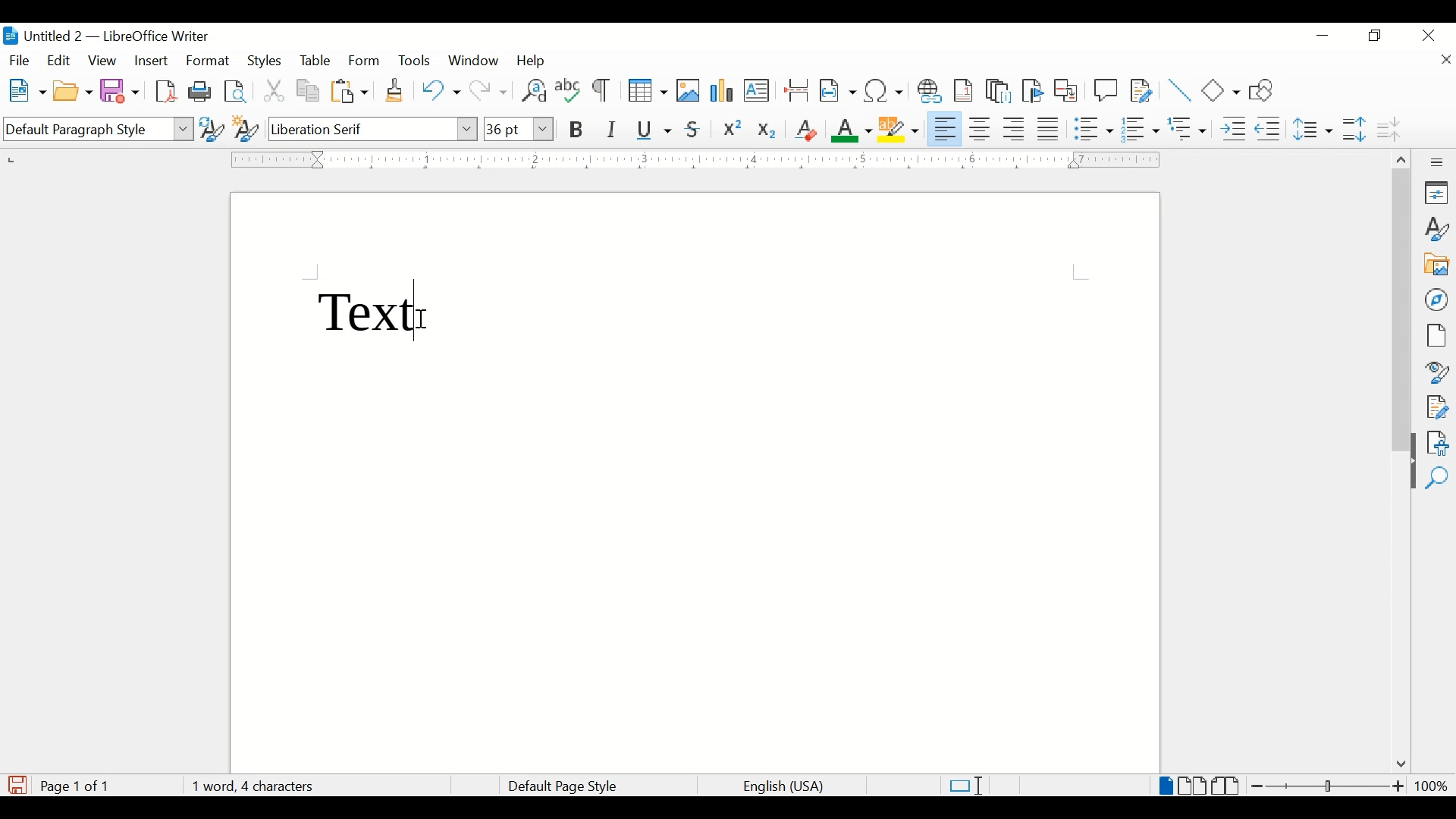 The height and width of the screenshot is (819, 1456). Describe the element at coordinates (1228, 786) in the screenshot. I see `book view` at that location.